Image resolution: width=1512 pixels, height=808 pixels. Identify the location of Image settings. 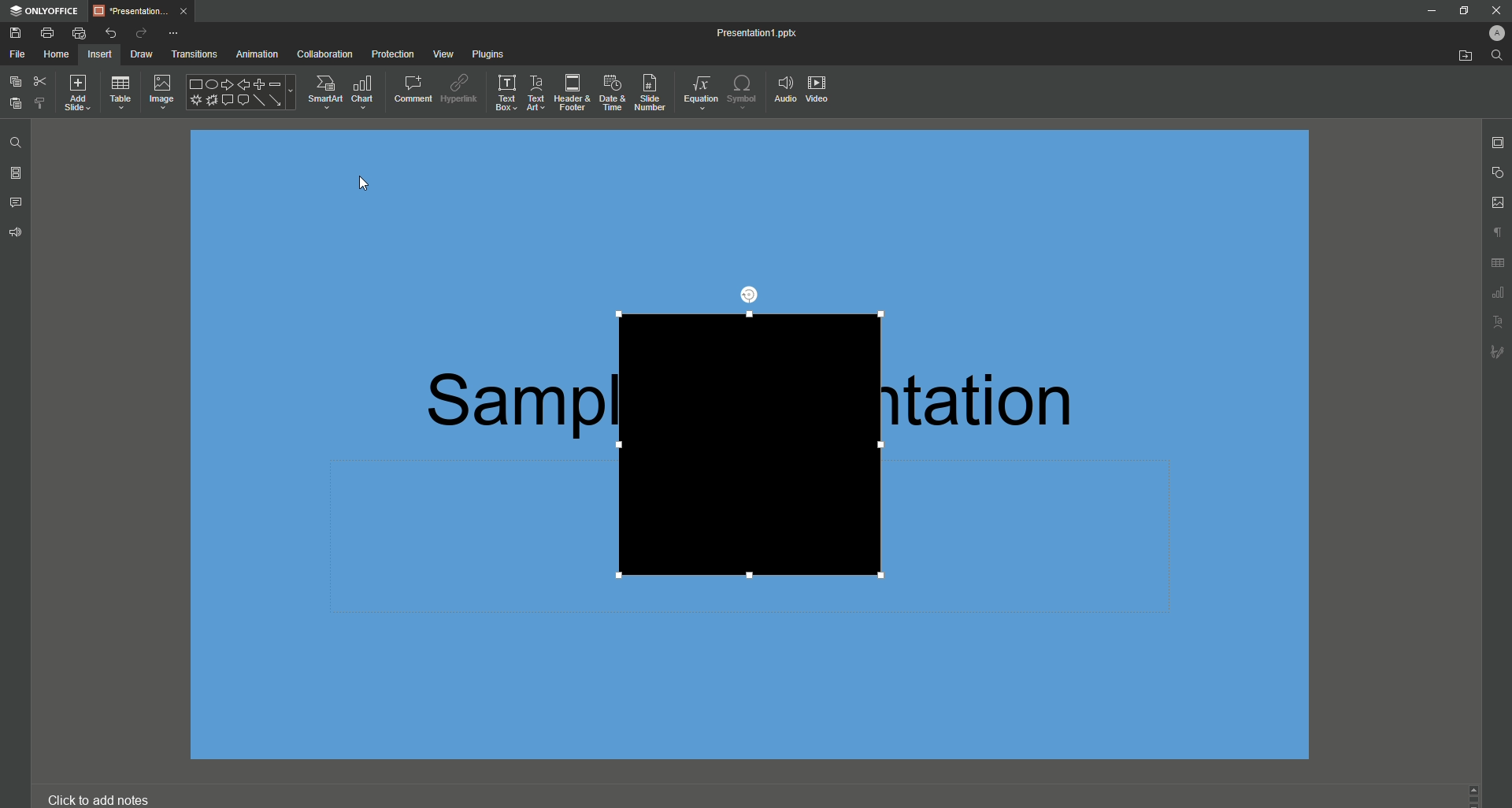
(1495, 202).